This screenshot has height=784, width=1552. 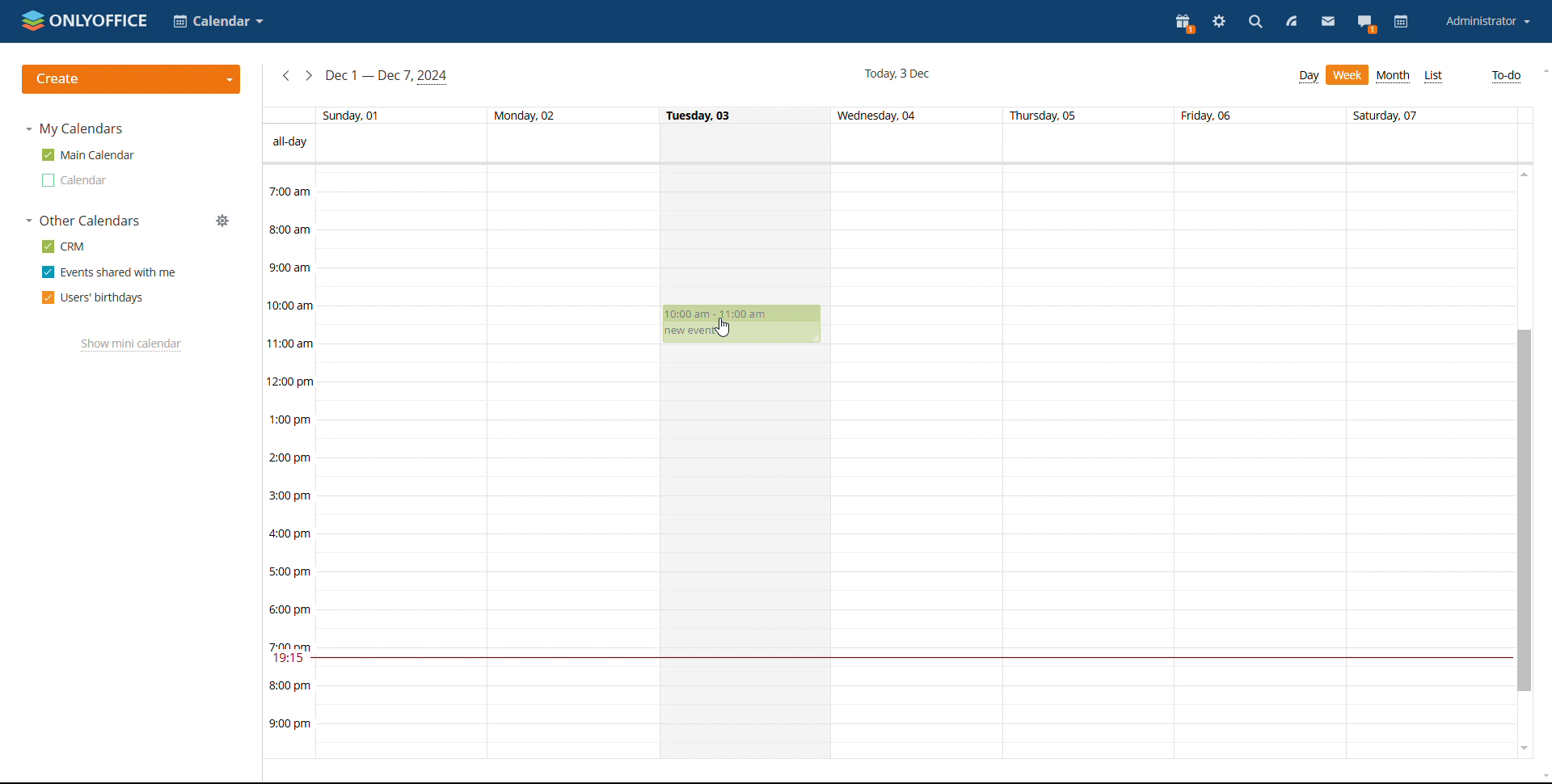 I want to click on Dec 1 — Dec 7, 2024, so click(x=390, y=76).